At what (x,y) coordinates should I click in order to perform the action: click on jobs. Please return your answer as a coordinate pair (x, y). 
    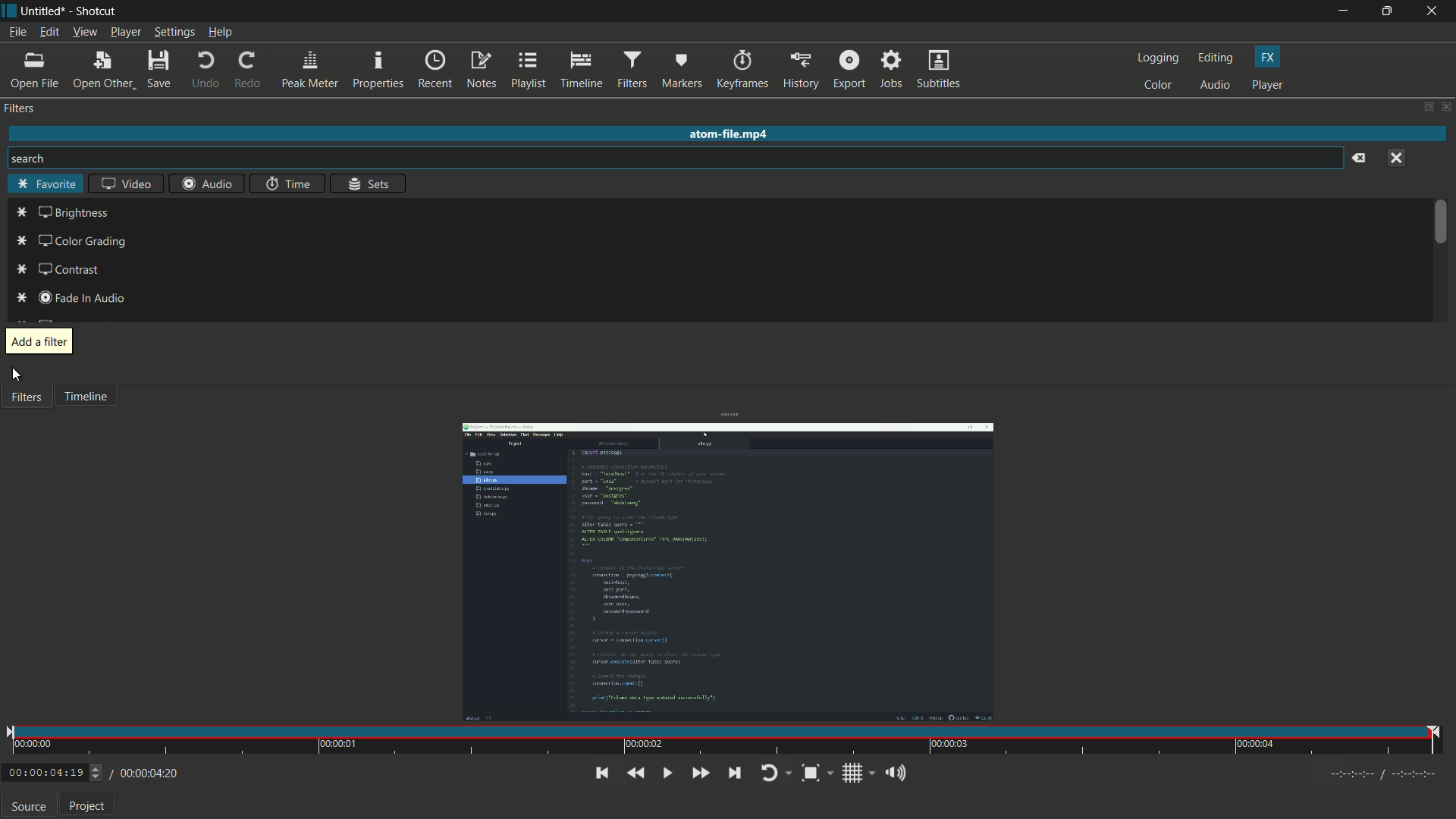
    Looking at the image, I should click on (888, 71).